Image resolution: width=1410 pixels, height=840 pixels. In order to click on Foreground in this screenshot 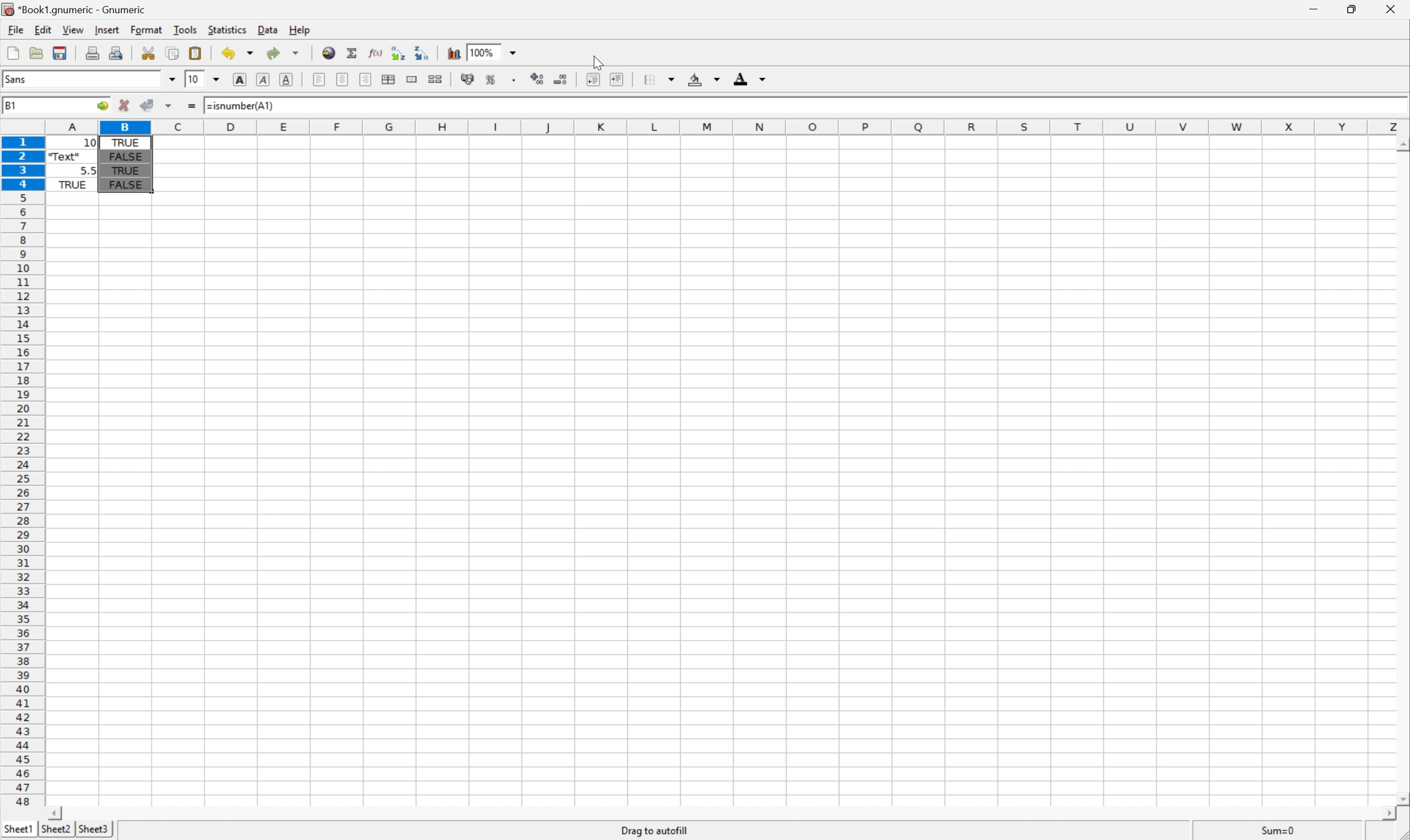, I will do `click(752, 78)`.